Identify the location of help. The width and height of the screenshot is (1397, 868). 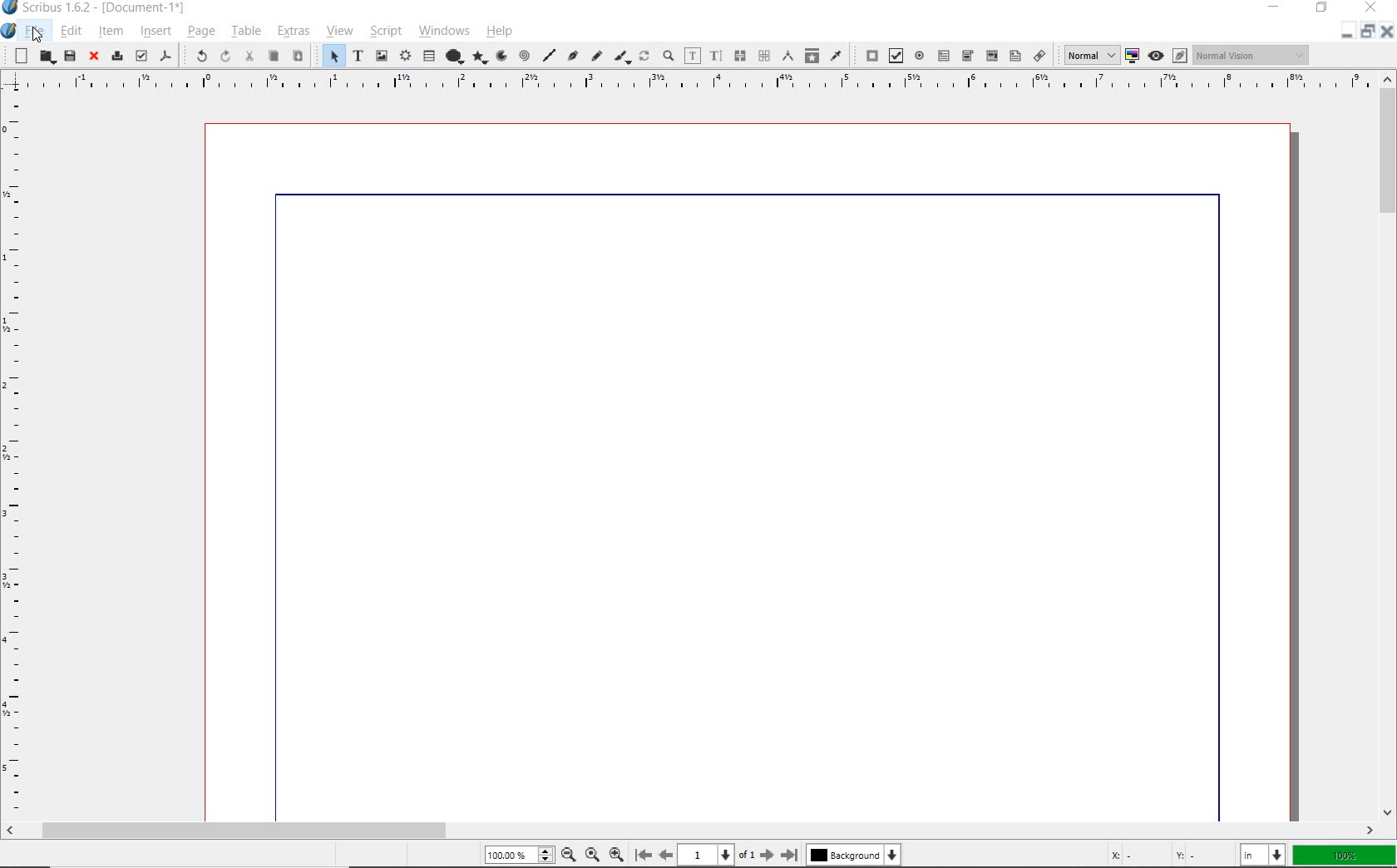
(500, 31).